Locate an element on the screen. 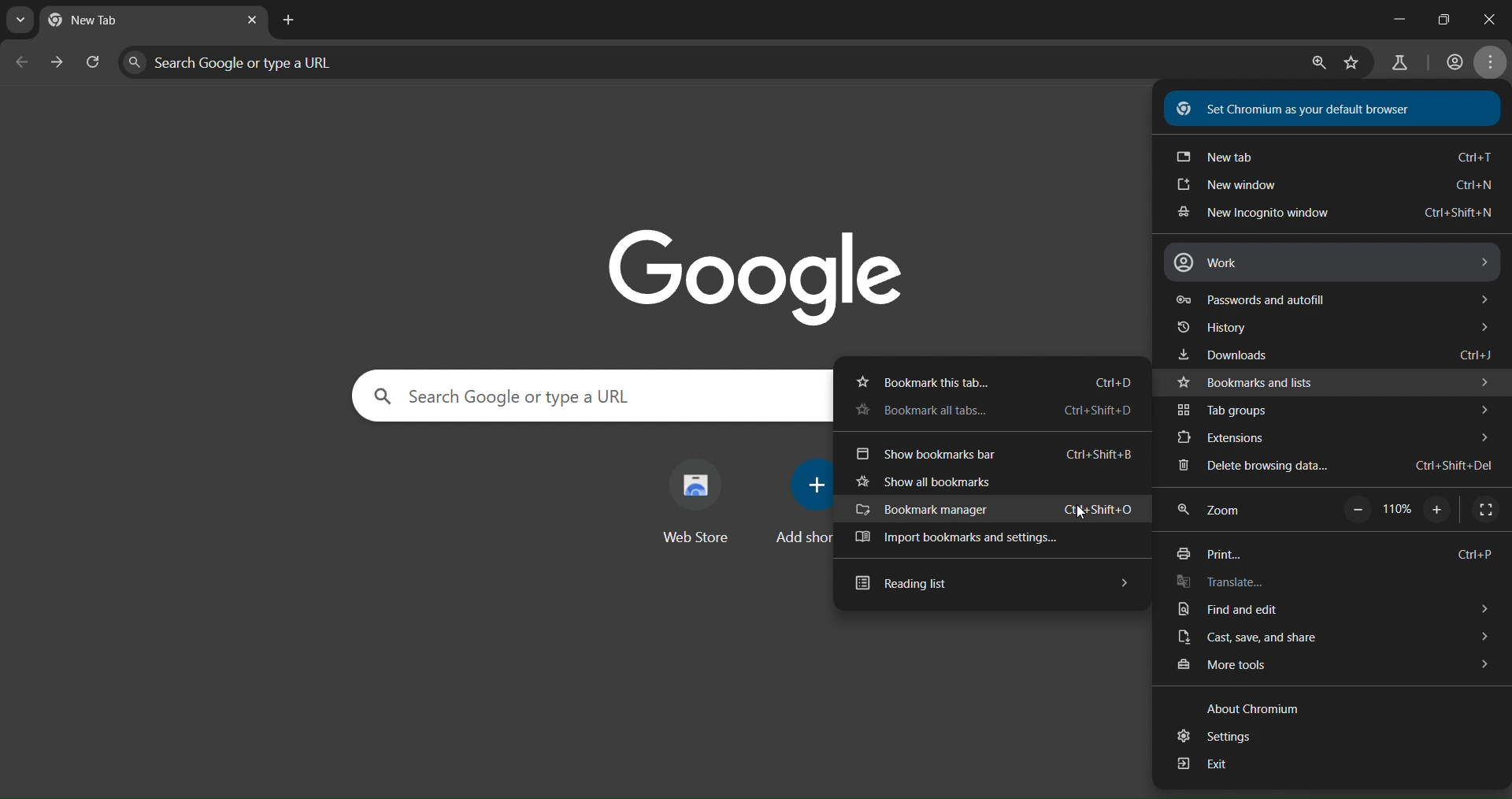 Image resolution: width=1512 pixels, height=799 pixels. Google logo is located at coordinates (758, 268).